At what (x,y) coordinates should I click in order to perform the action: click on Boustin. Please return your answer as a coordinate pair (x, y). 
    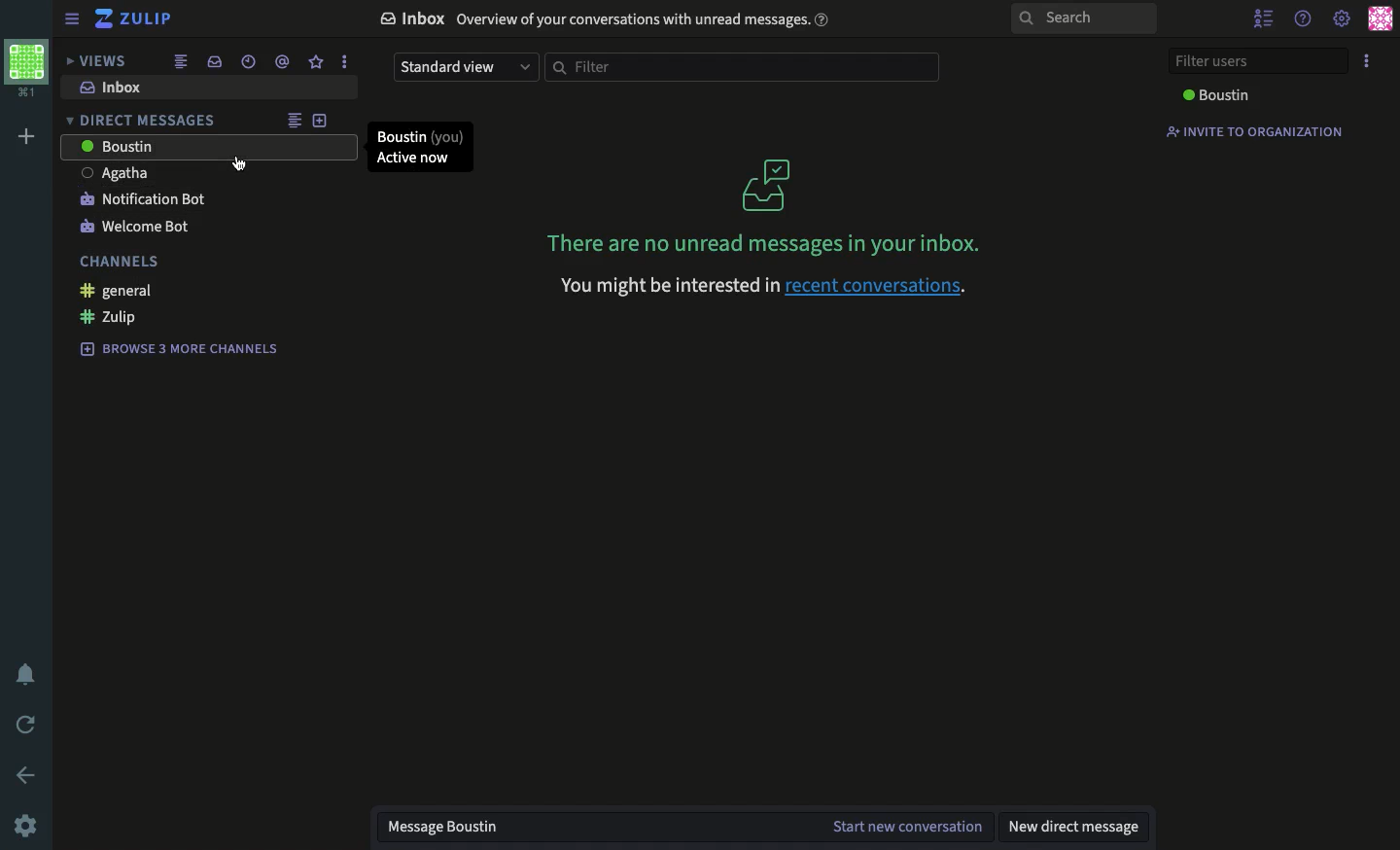
    Looking at the image, I should click on (122, 147).